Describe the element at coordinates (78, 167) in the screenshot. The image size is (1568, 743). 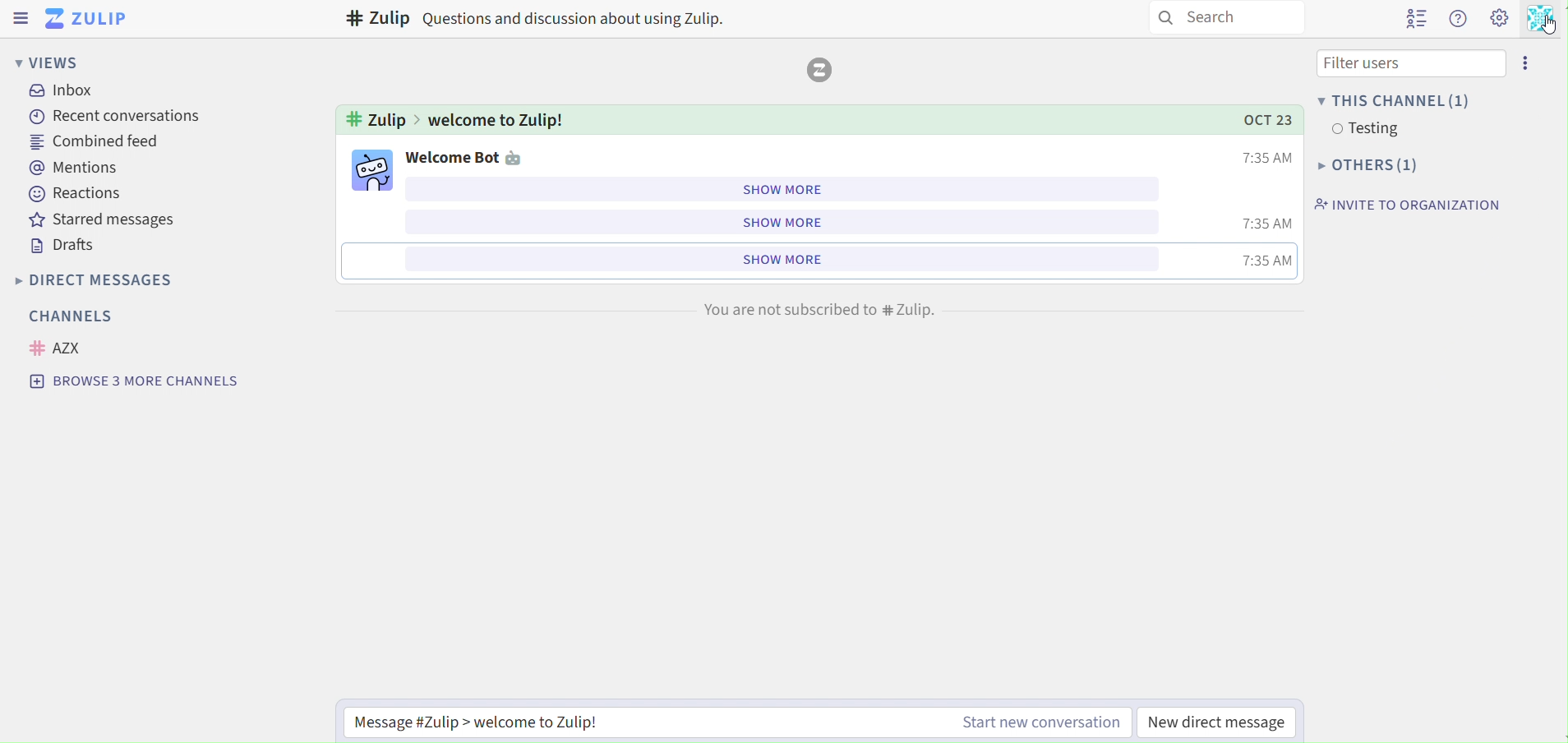
I see `mentions` at that location.